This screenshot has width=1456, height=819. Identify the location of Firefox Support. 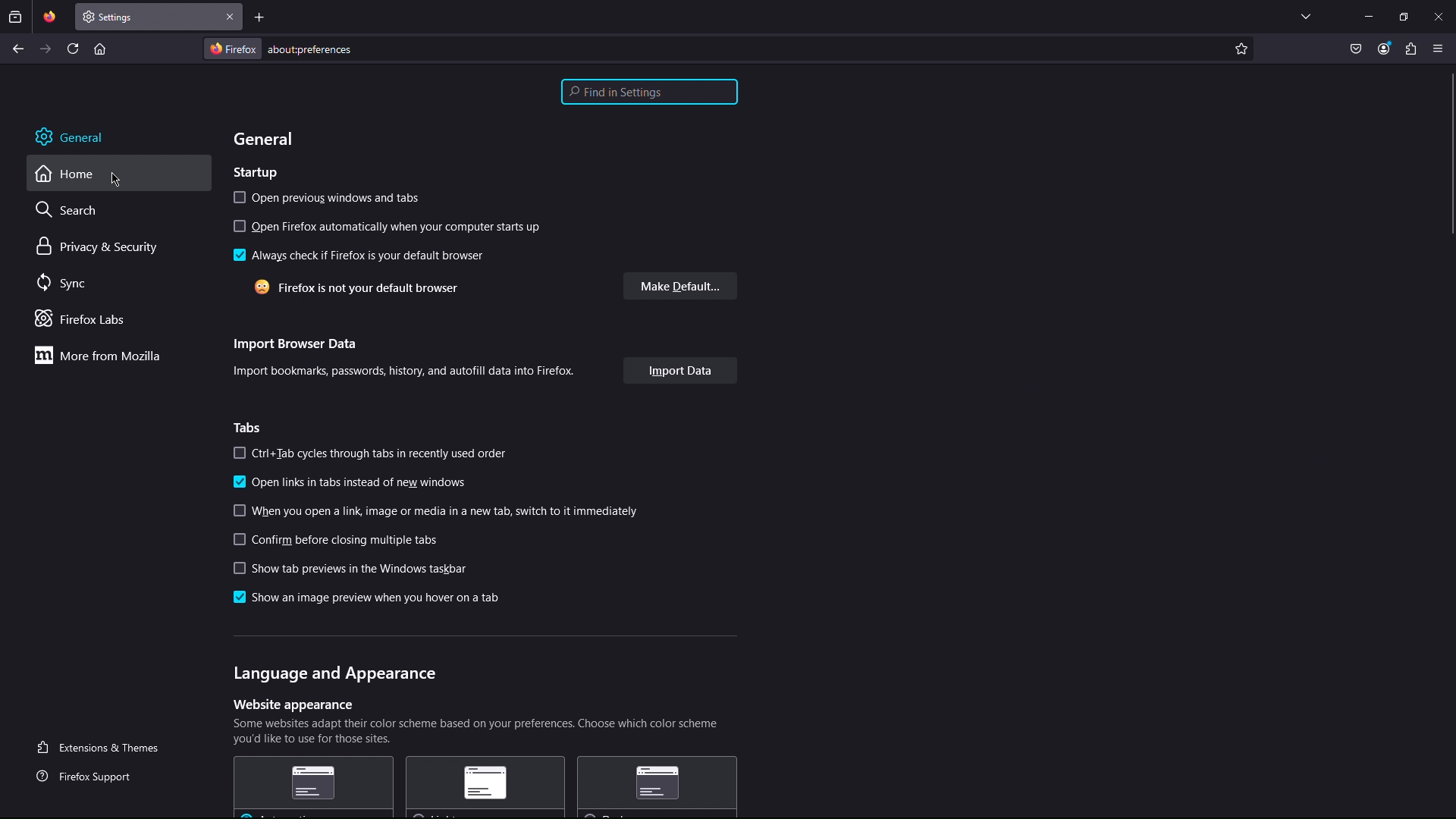
(89, 774).